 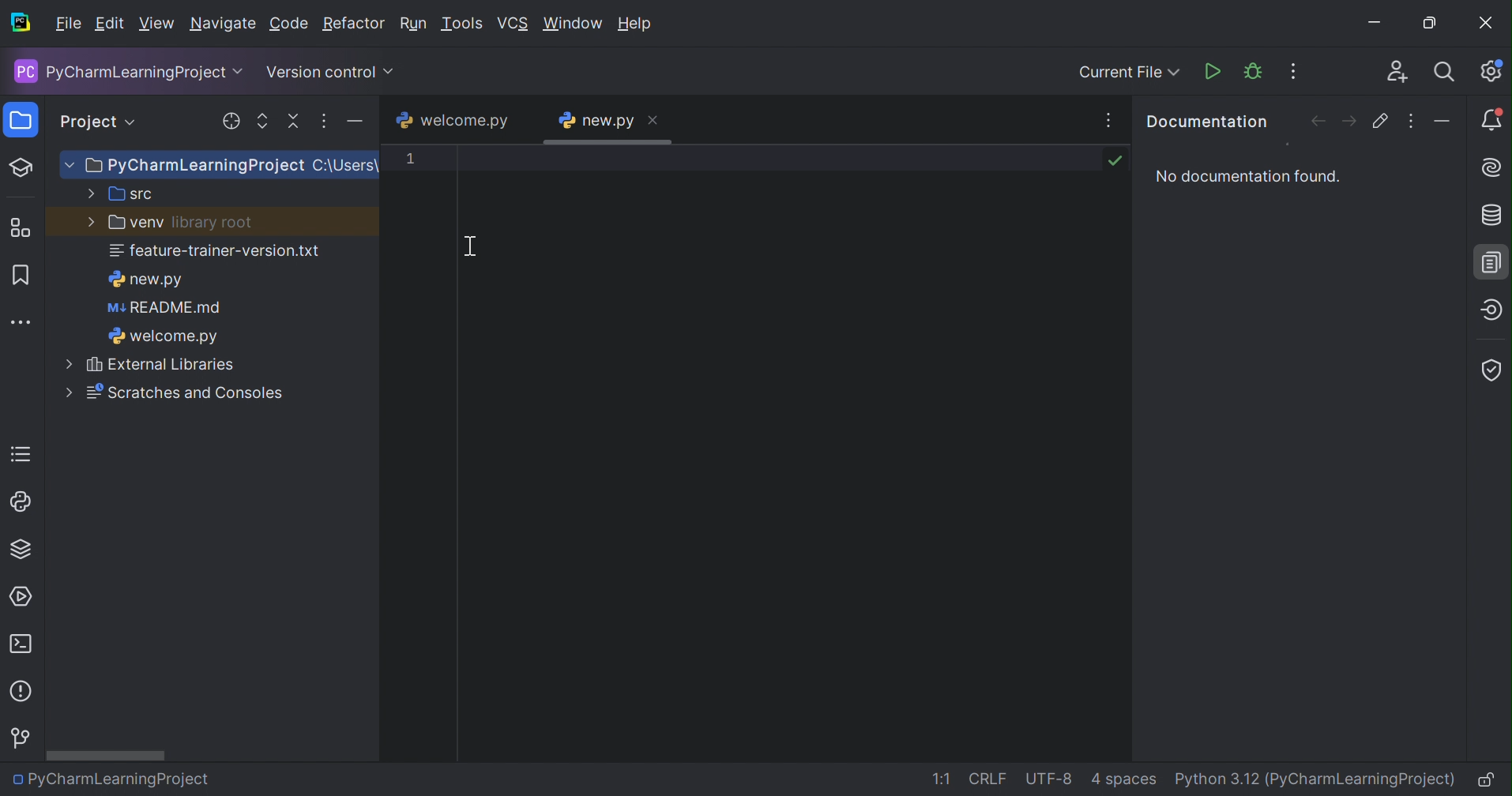 What do you see at coordinates (149, 365) in the screenshot?
I see `External Libraries` at bounding box center [149, 365].